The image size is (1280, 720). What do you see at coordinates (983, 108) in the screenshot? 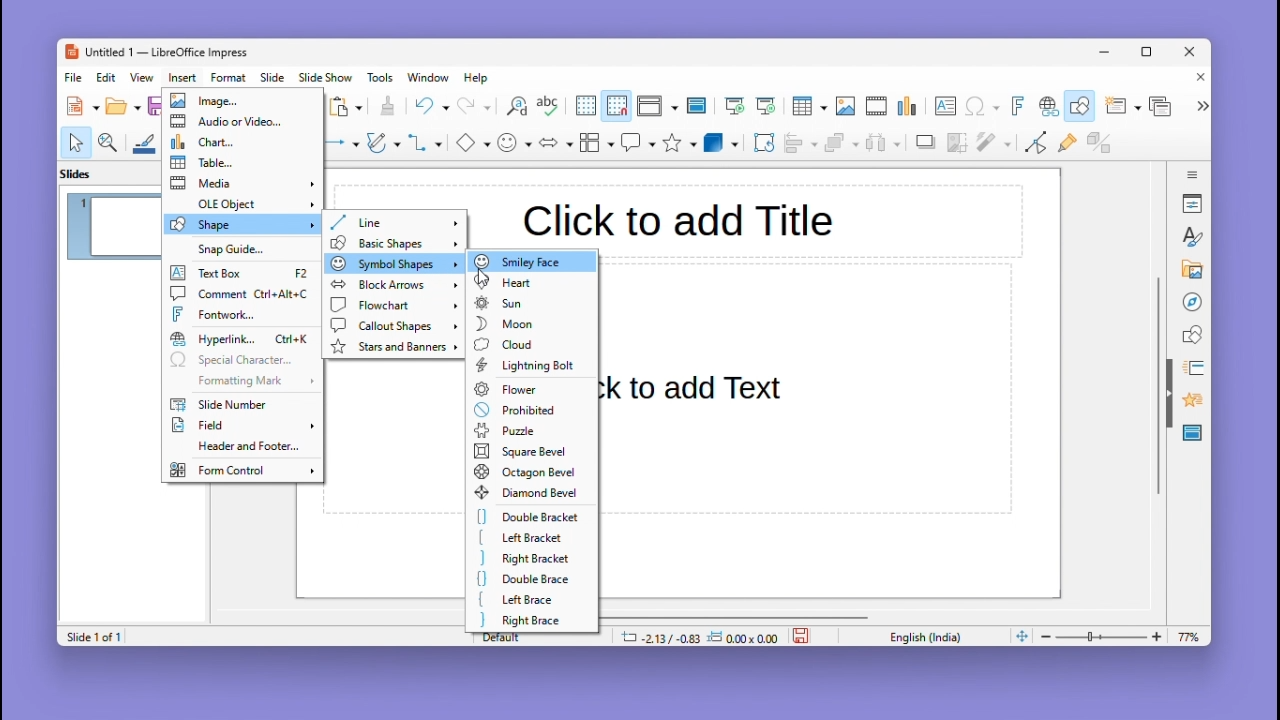
I see `Special character` at bounding box center [983, 108].